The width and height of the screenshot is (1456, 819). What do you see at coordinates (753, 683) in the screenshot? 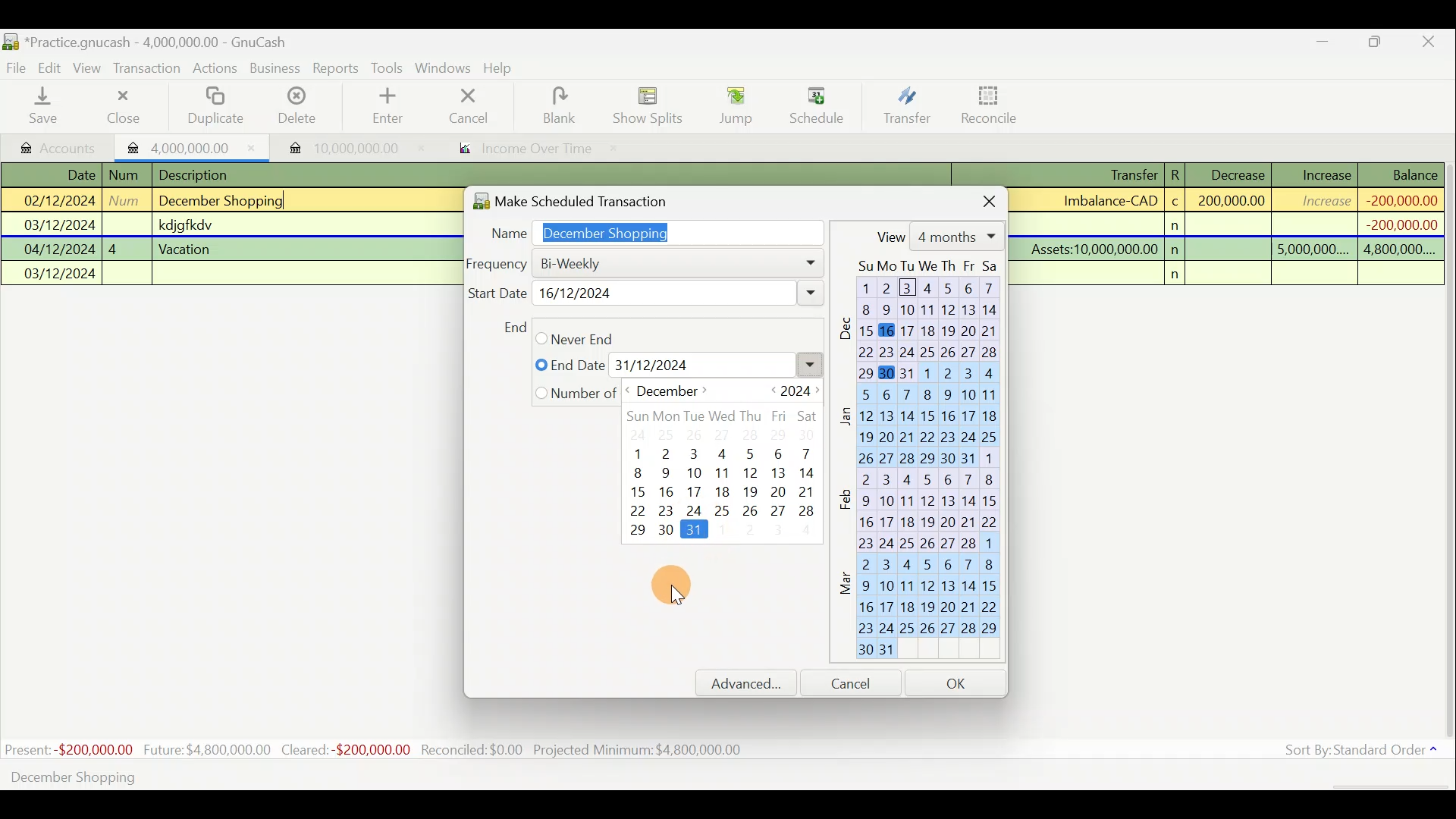
I see `Advanced` at bounding box center [753, 683].